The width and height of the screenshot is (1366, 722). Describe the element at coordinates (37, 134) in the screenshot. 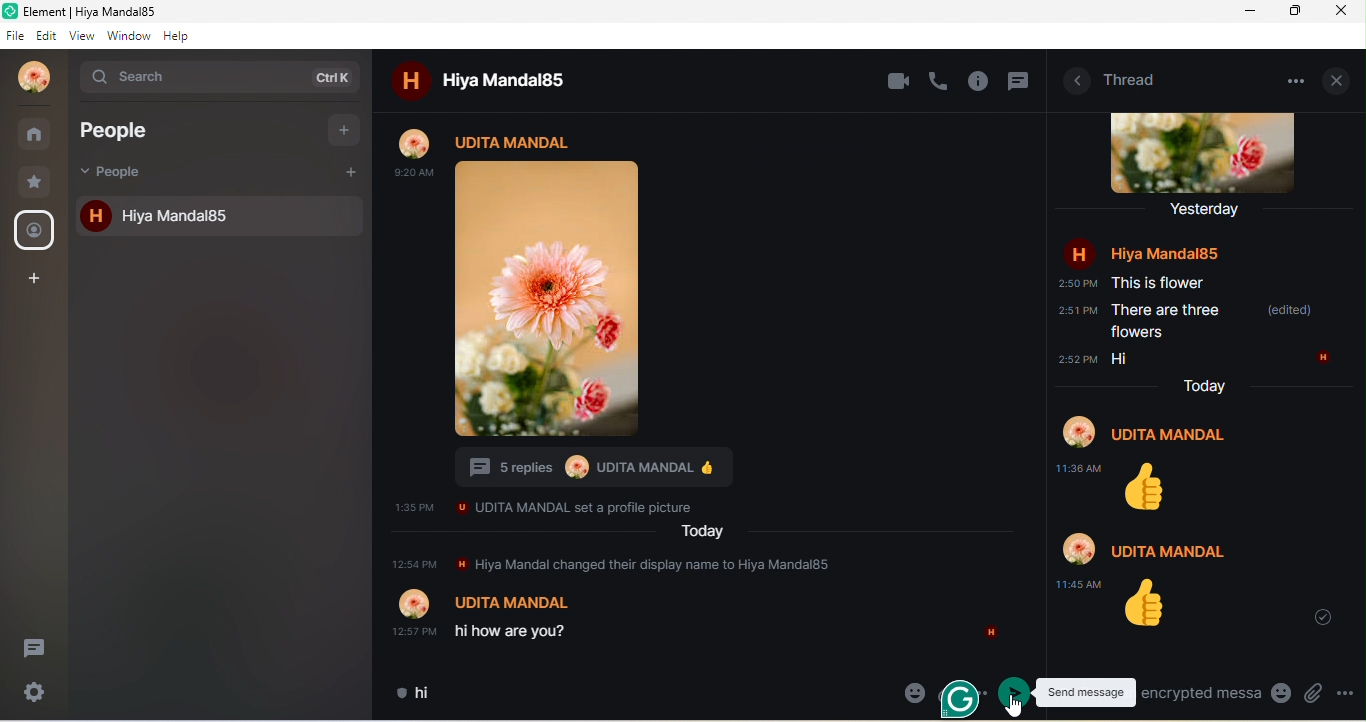

I see `rooms` at that location.